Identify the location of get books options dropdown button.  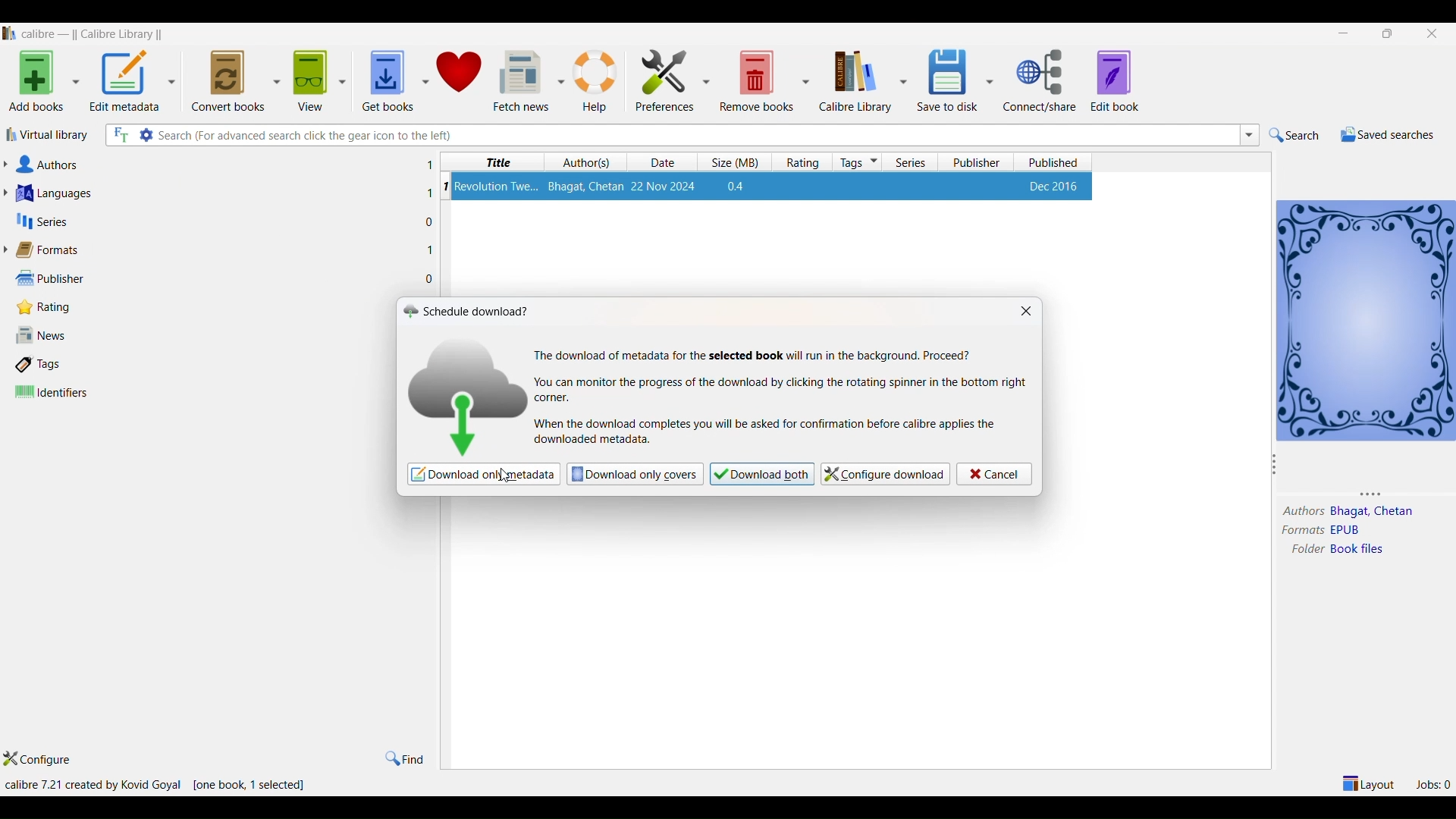
(422, 76).